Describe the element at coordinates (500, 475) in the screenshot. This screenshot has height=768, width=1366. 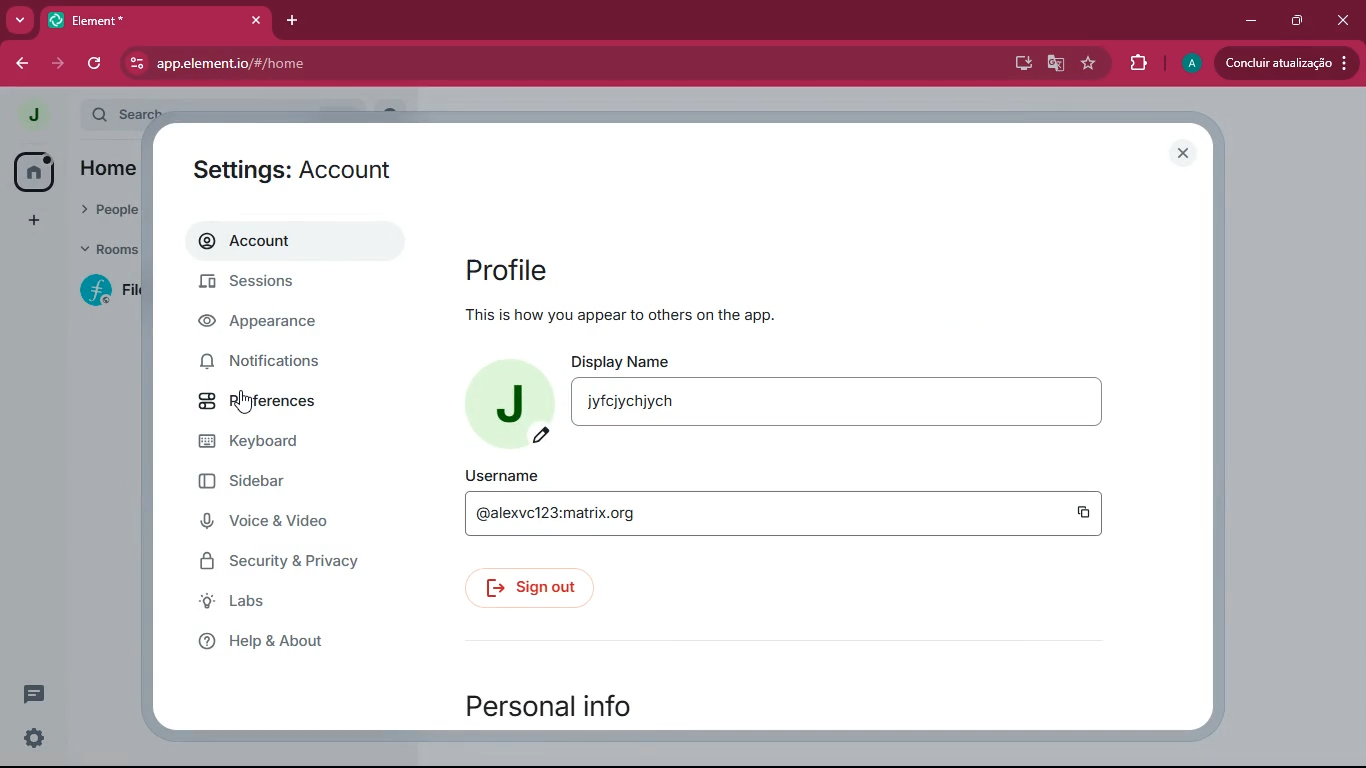
I see `username` at that location.